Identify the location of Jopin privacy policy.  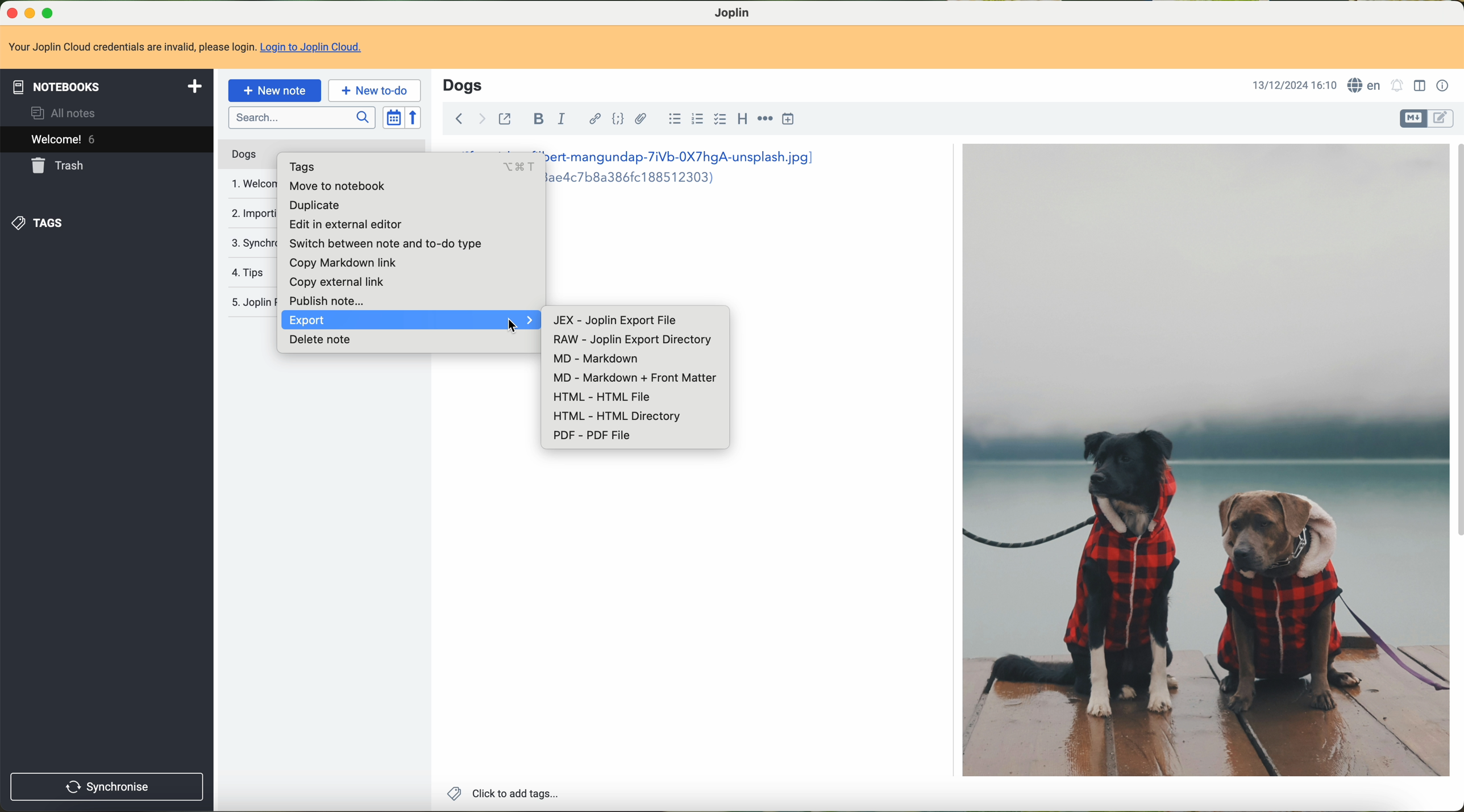
(249, 300).